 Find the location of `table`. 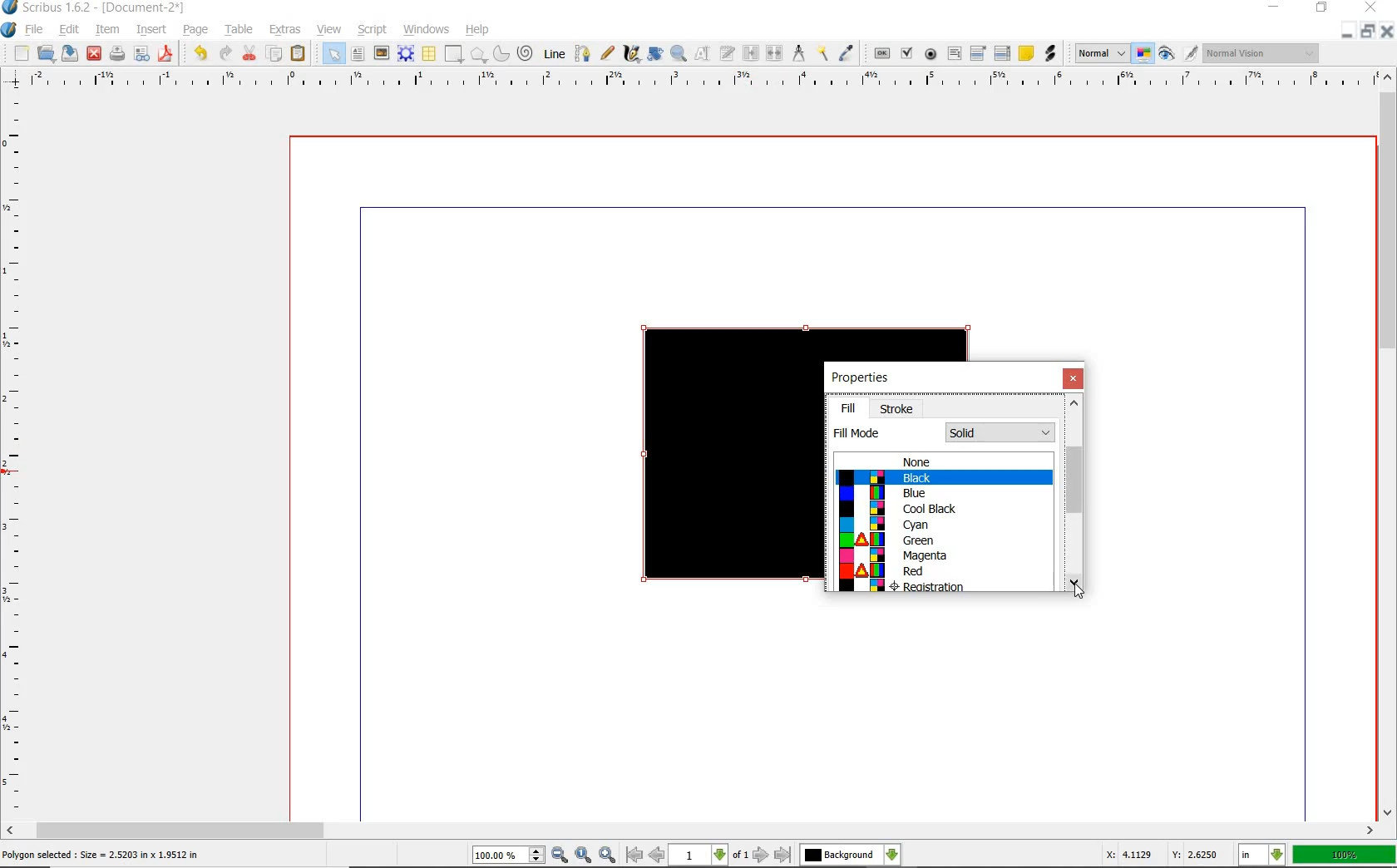

table is located at coordinates (429, 53).